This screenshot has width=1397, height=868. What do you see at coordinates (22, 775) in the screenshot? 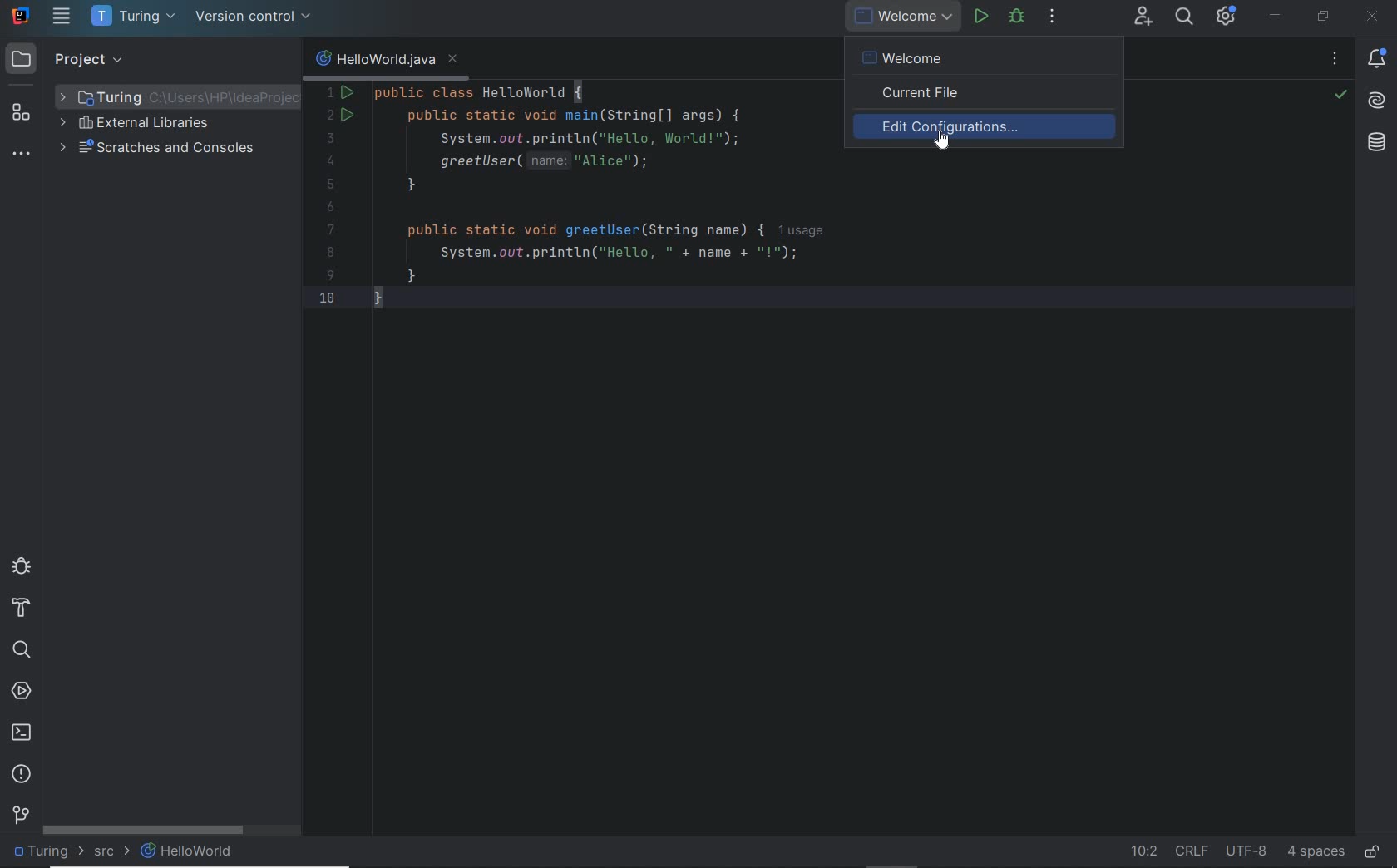
I see `problems` at bounding box center [22, 775].